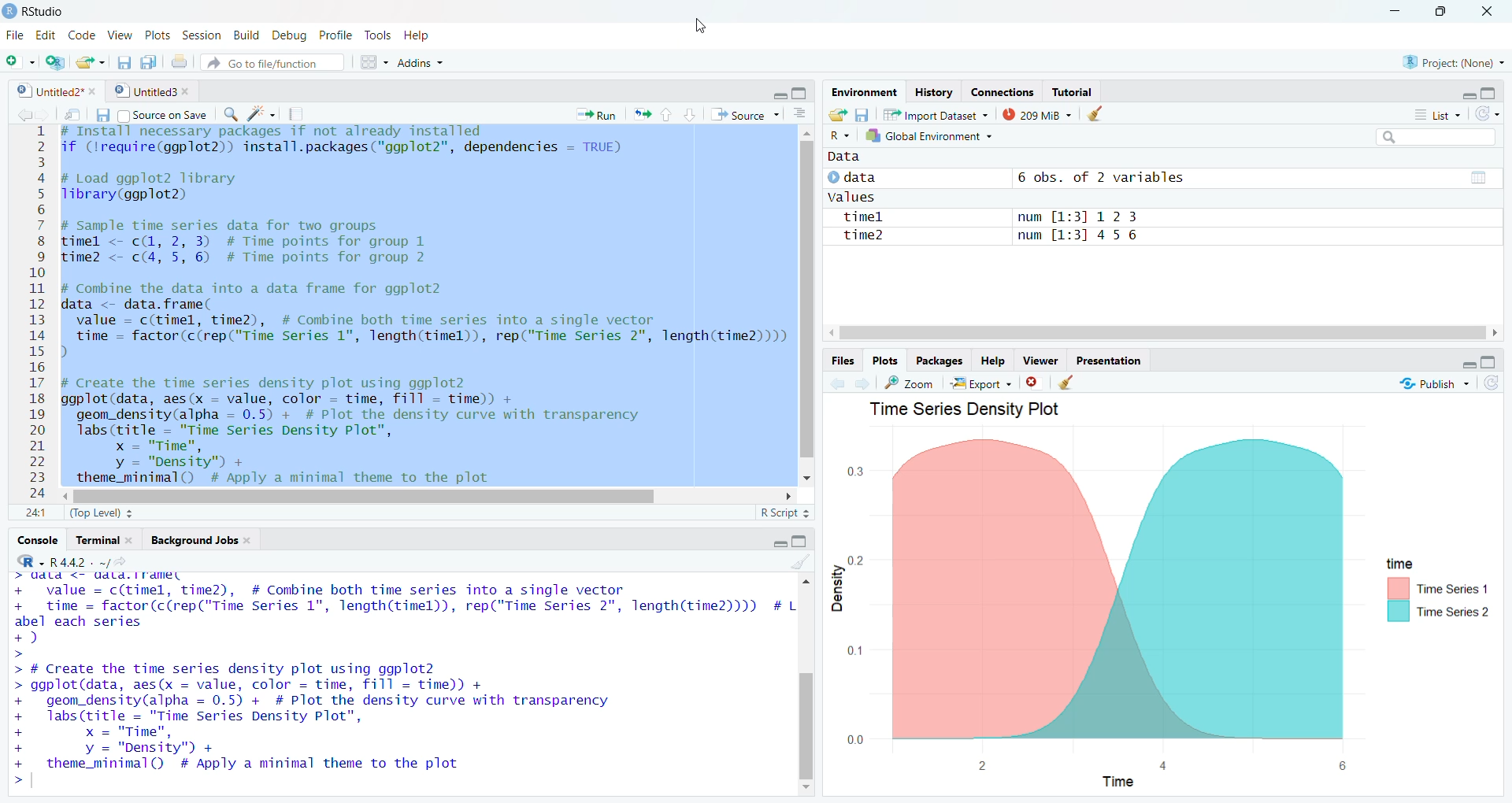 The height and width of the screenshot is (803, 1512). I want to click on Terminal, so click(104, 541).